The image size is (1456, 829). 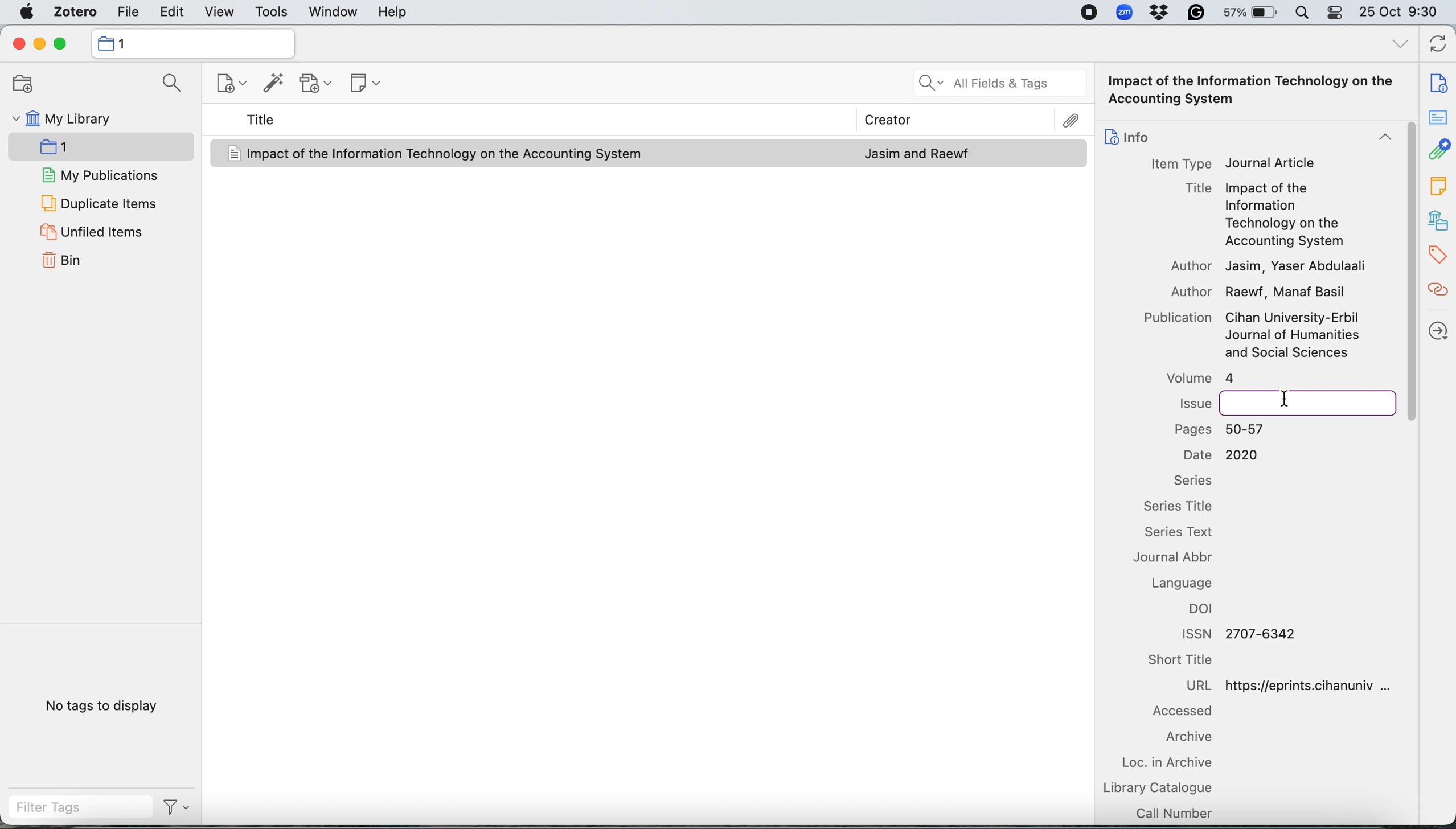 I want to click on library catalogue, so click(x=1160, y=787).